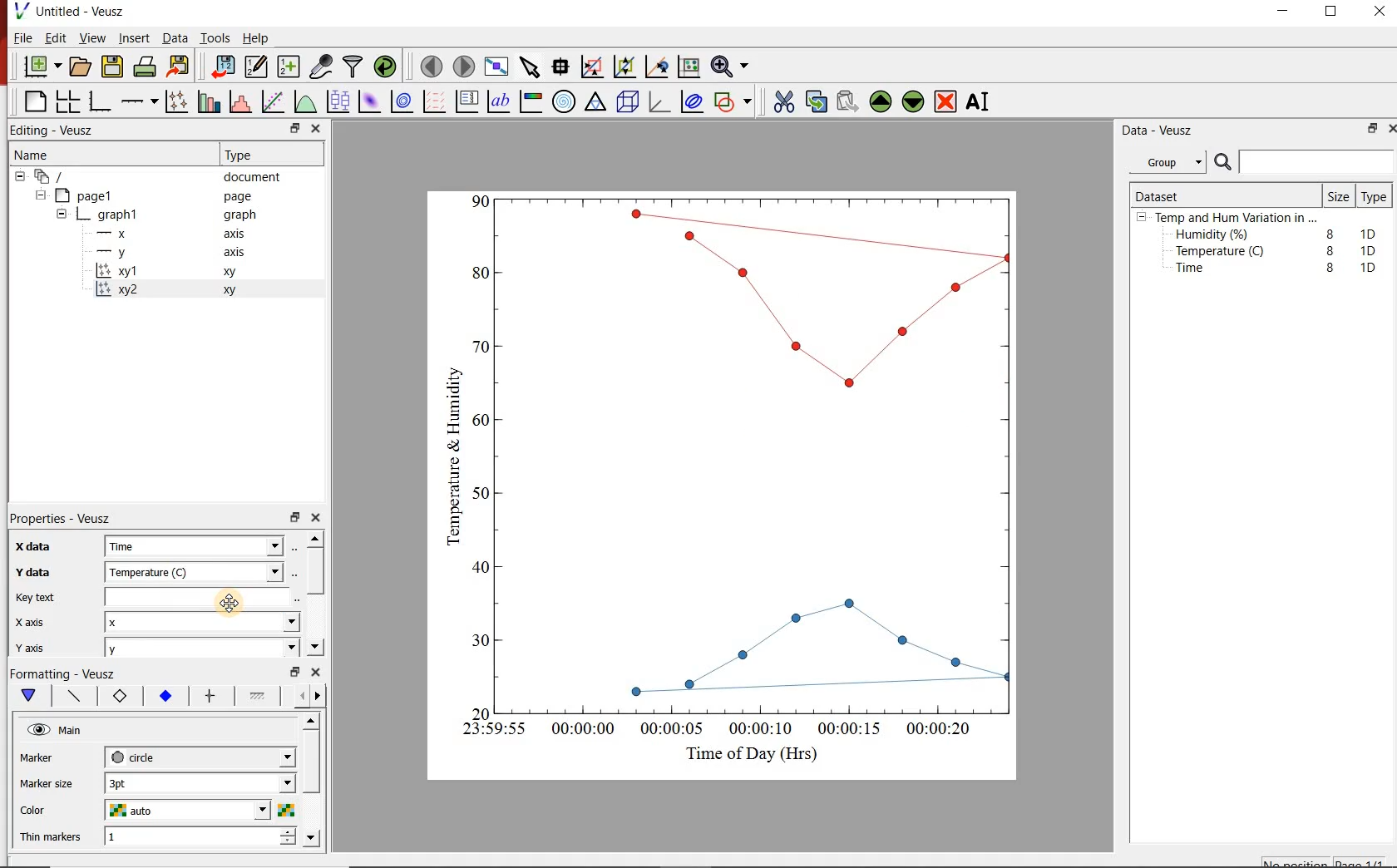  What do you see at coordinates (176, 100) in the screenshot?
I see `Plot points with lines and error bars` at bounding box center [176, 100].